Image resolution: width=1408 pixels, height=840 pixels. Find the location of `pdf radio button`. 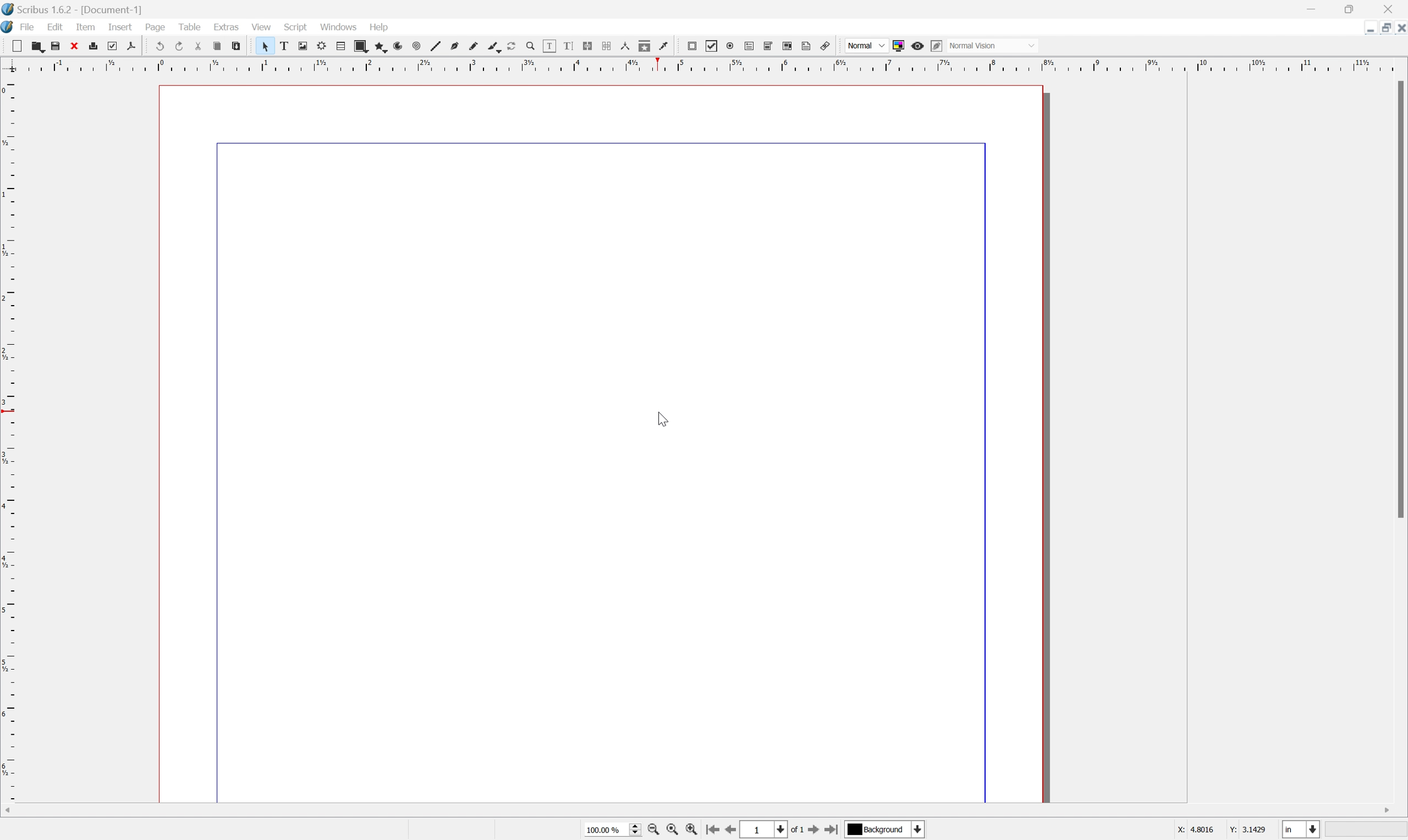

pdf radio button is located at coordinates (731, 45).